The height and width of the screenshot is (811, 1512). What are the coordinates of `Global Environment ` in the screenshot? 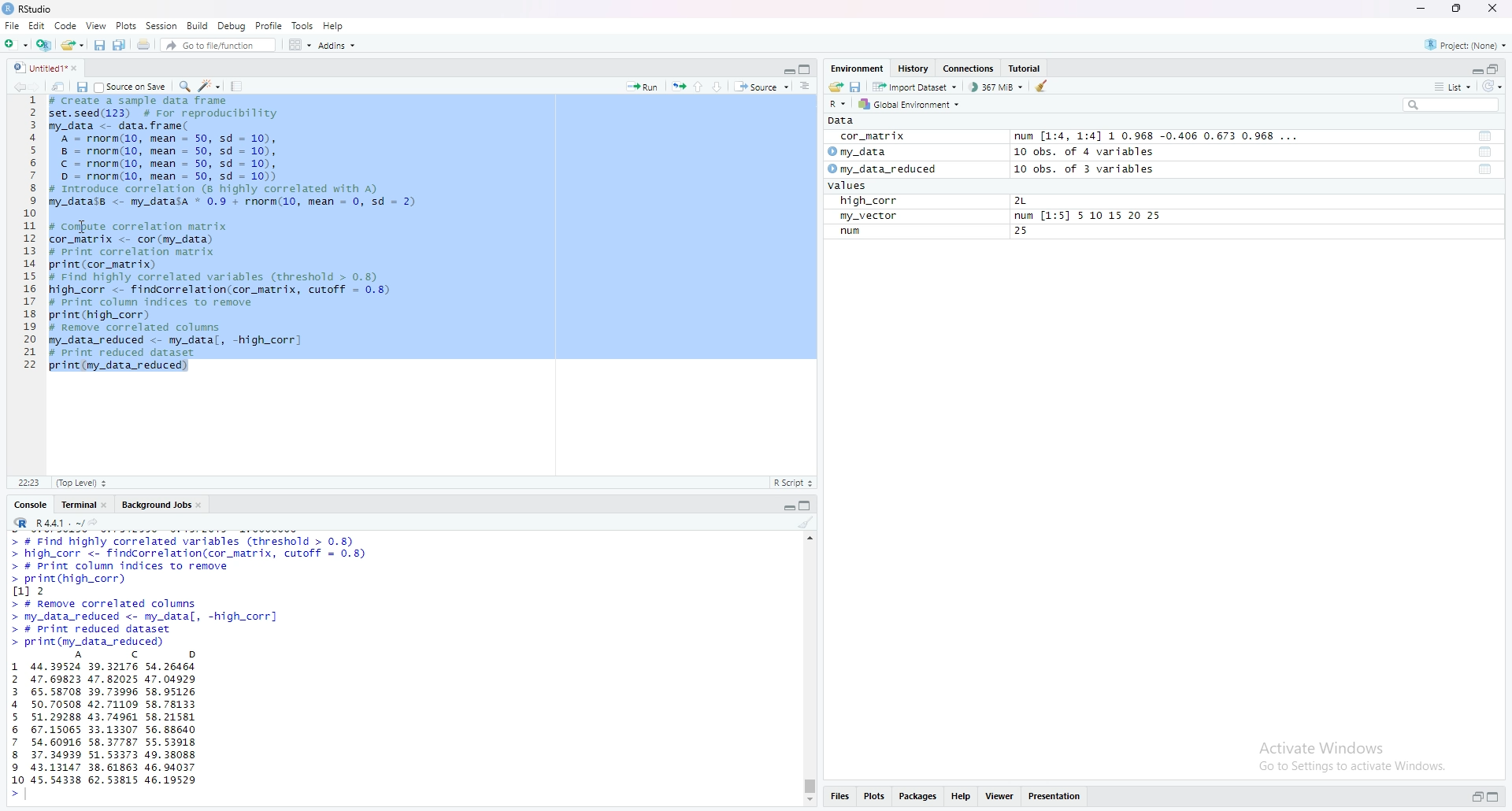 It's located at (910, 103).